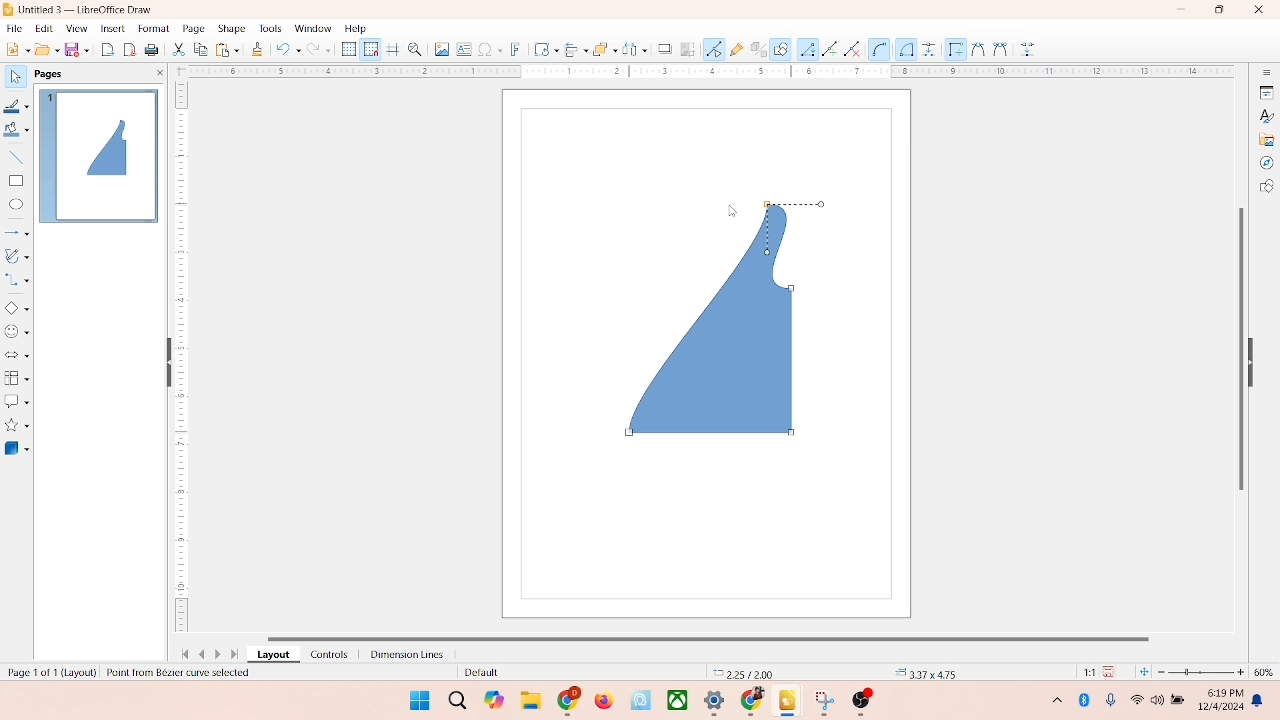 The width and height of the screenshot is (1280, 720). What do you see at coordinates (1266, 163) in the screenshot?
I see `navigator` at bounding box center [1266, 163].